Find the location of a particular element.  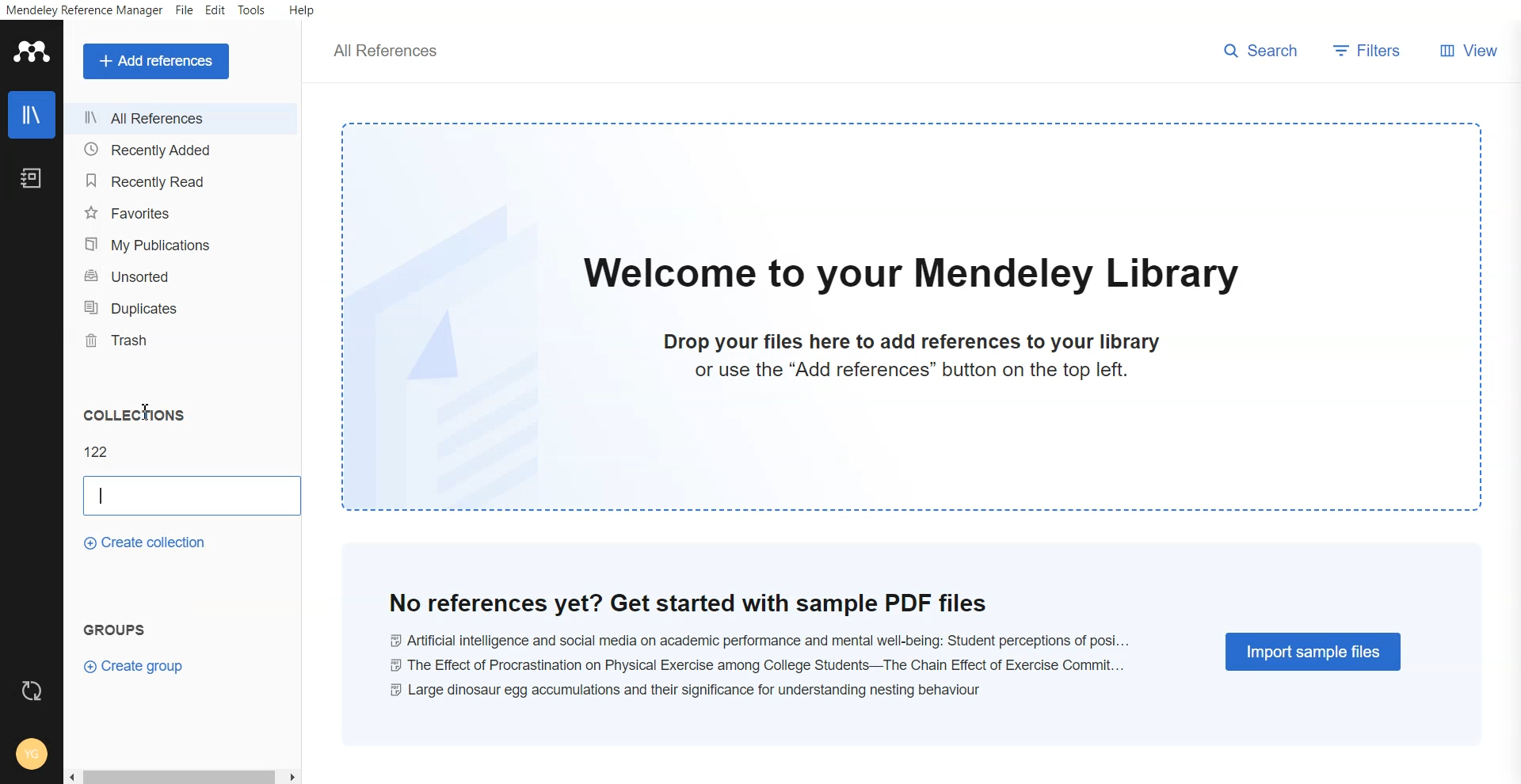

Refresh is located at coordinates (31, 690).